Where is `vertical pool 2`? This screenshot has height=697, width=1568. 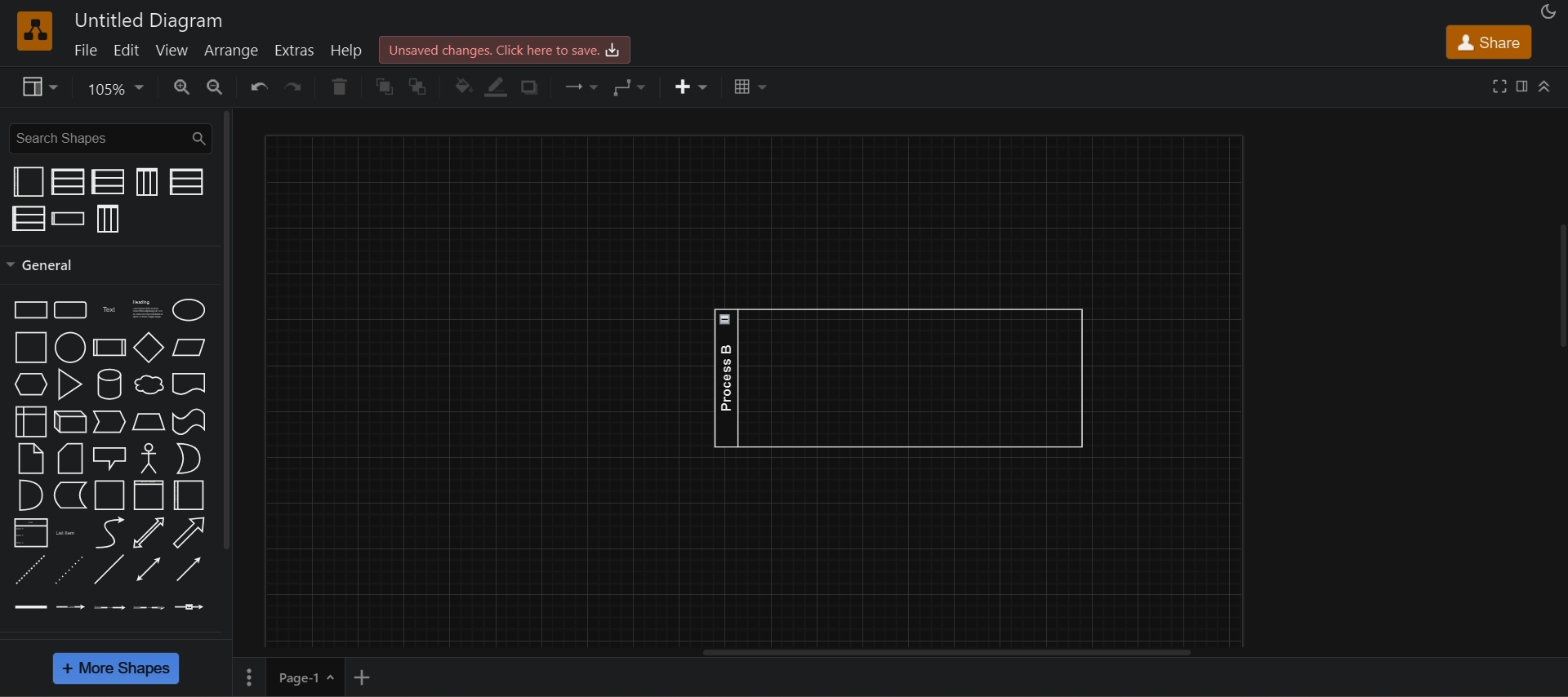
vertical pool 2 is located at coordinates (68, 182).